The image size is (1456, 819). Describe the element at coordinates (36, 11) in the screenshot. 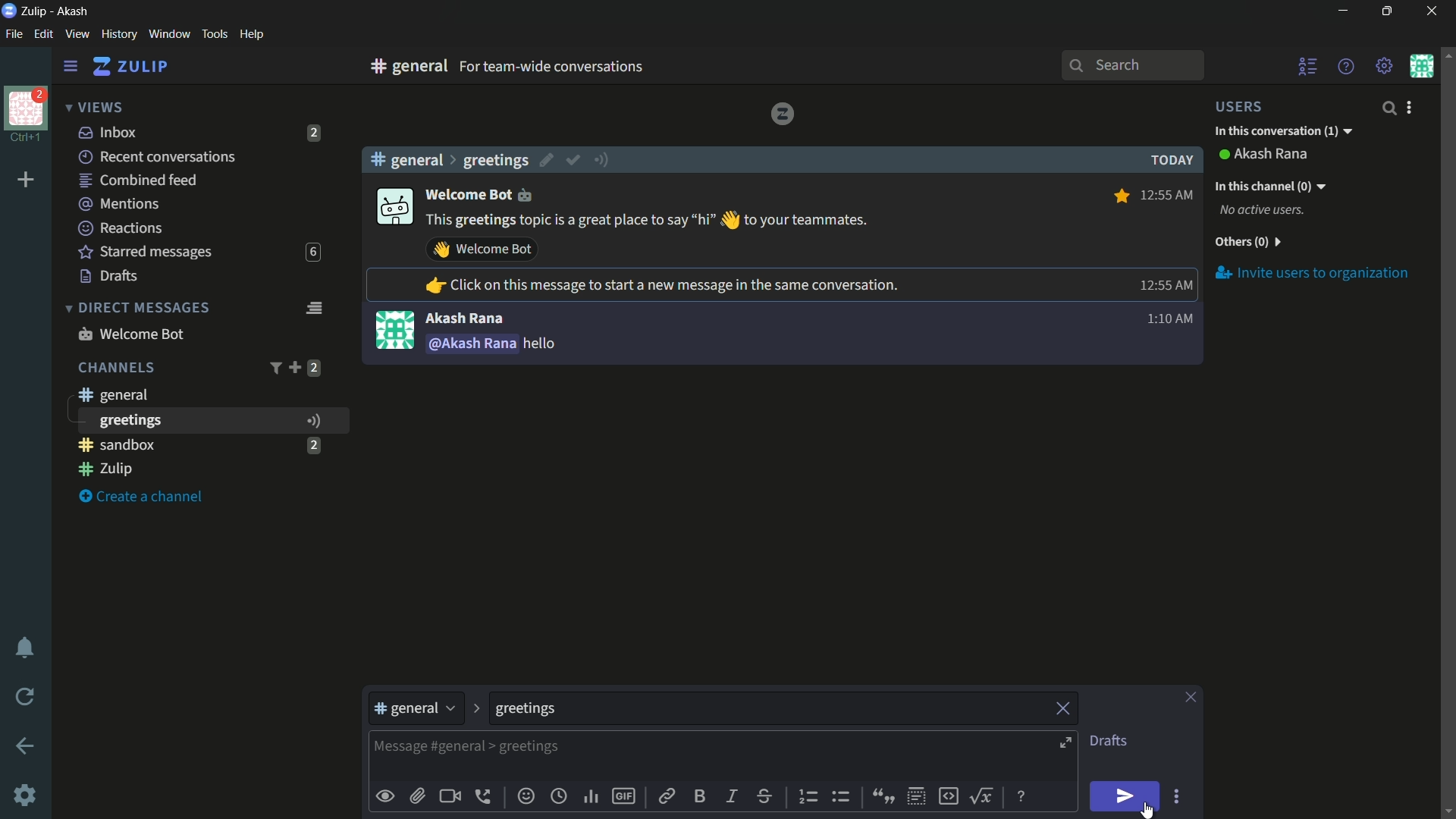

I see `Zulip` at that location.